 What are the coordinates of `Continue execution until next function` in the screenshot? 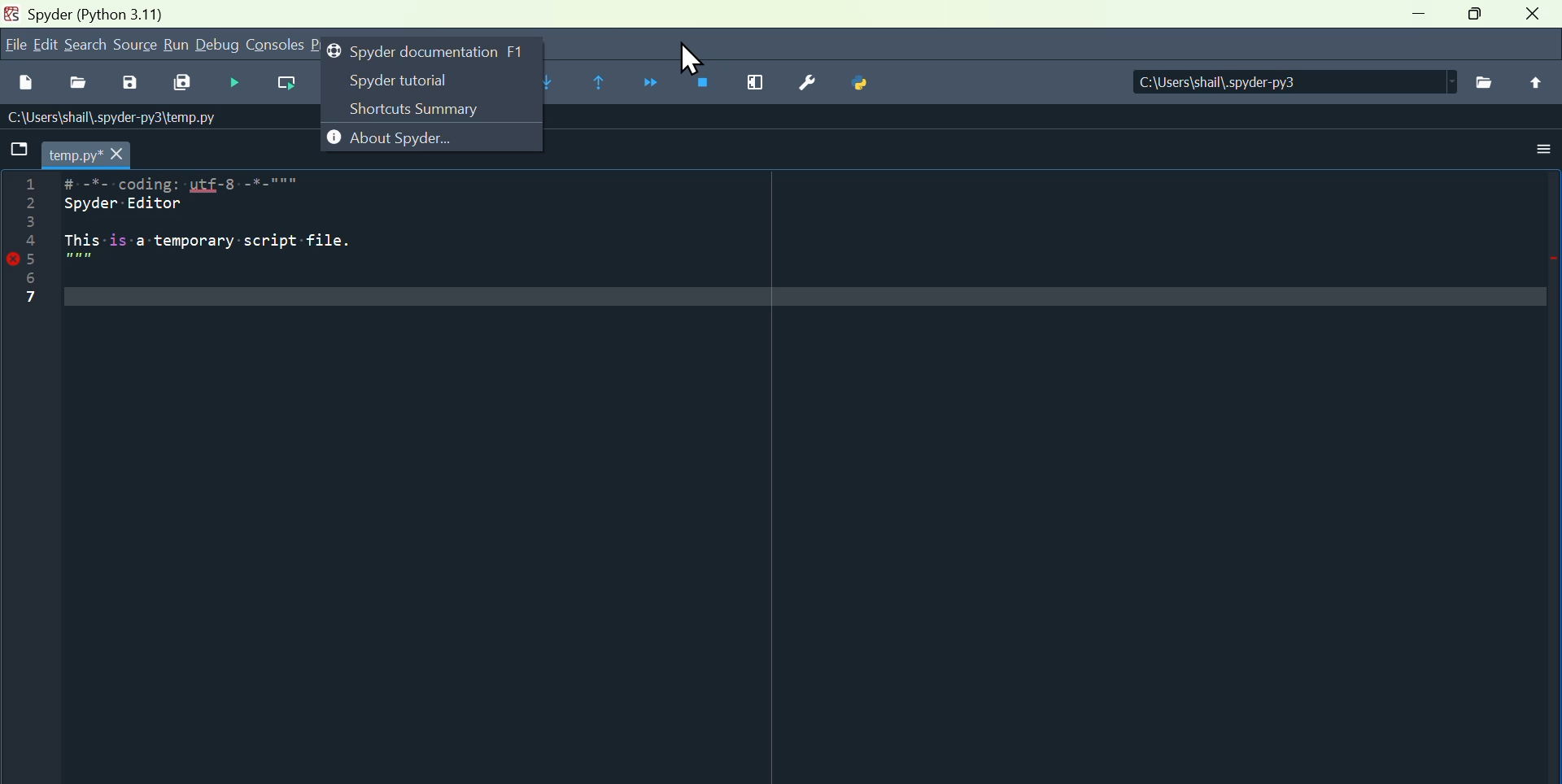 It's located at (648, 83).